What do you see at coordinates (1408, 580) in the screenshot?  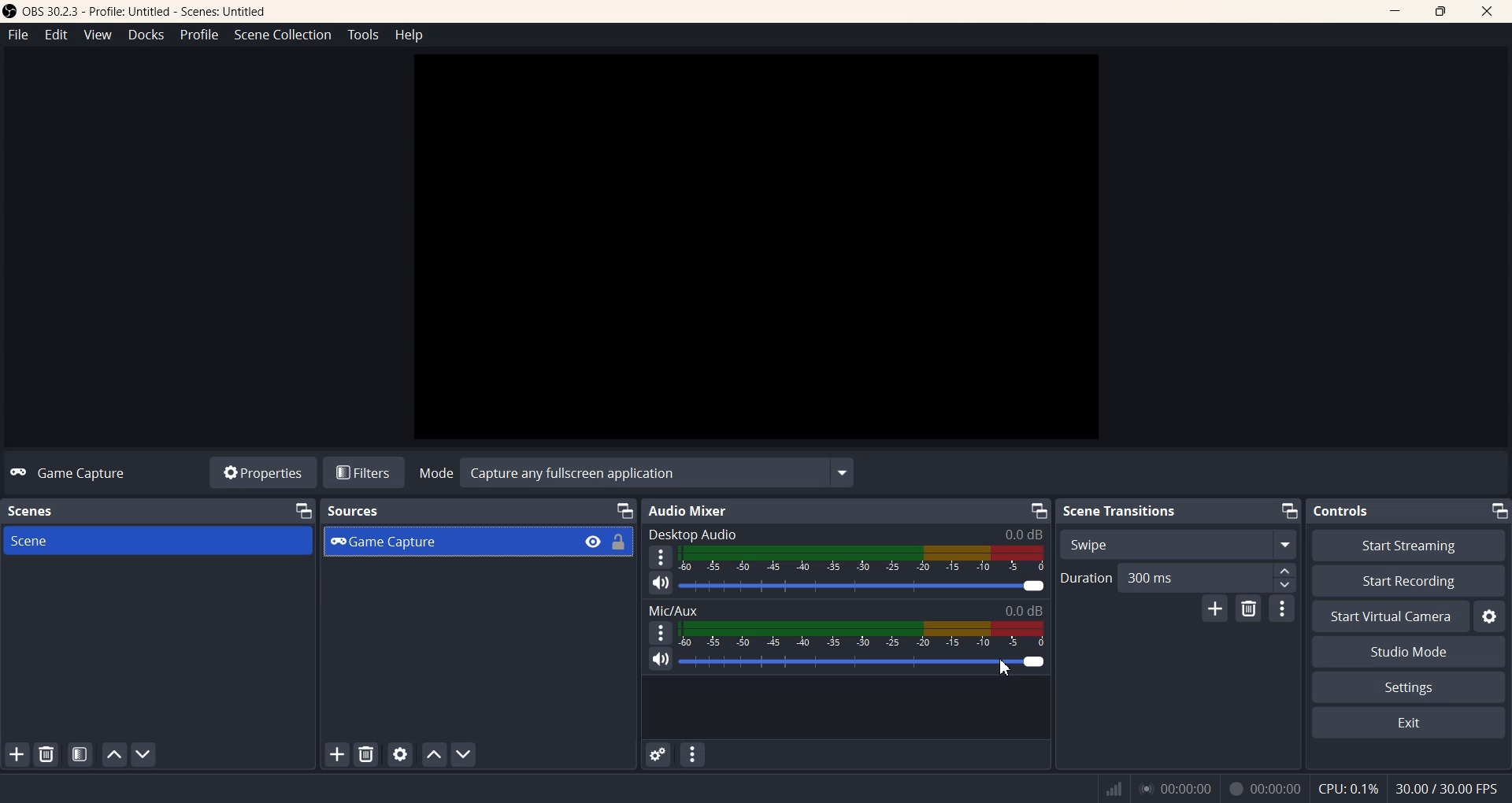 I see `Start Recording` at bounding box center [1408, 580].